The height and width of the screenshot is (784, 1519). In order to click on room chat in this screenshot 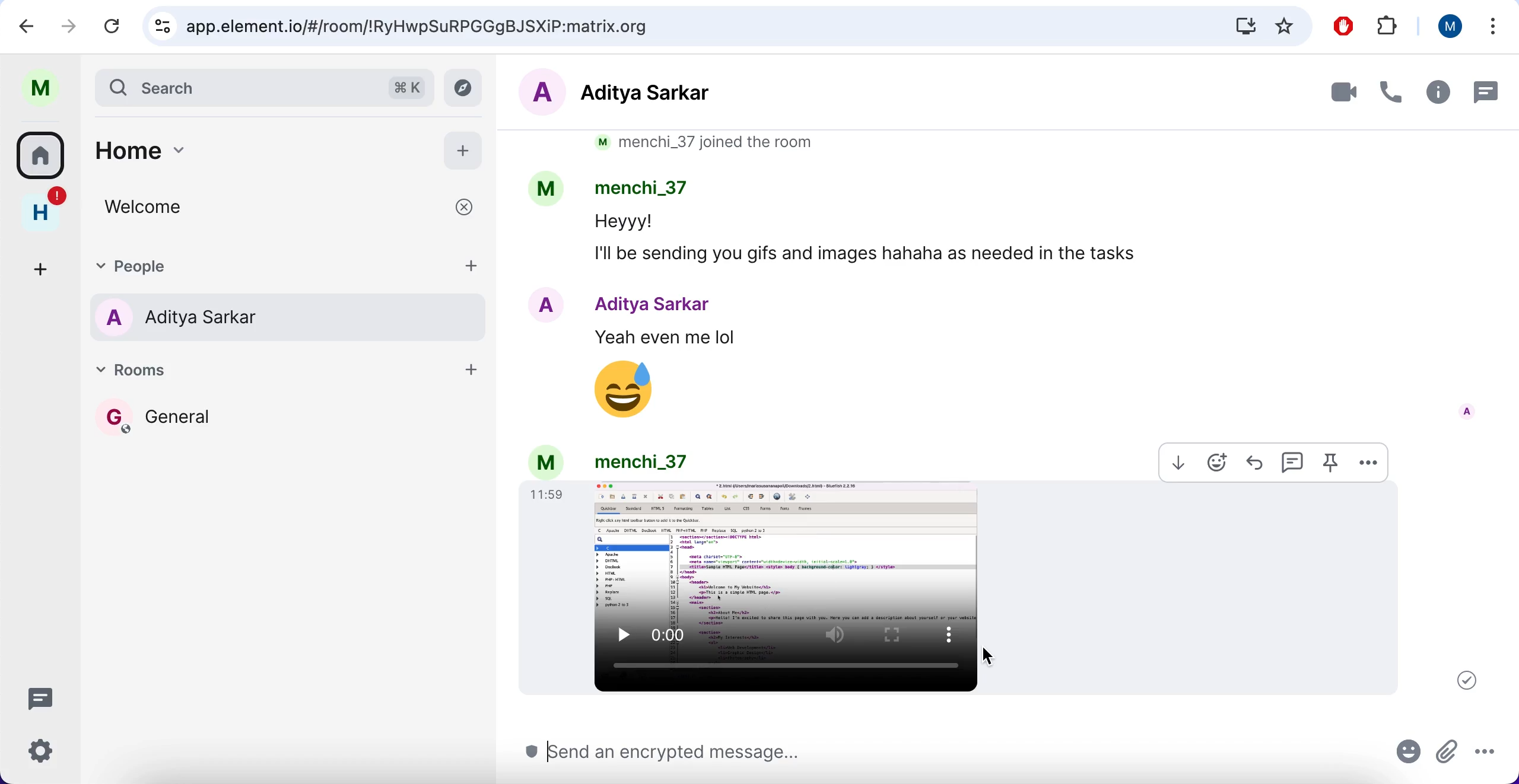, I will do `click(1011, 279)`.